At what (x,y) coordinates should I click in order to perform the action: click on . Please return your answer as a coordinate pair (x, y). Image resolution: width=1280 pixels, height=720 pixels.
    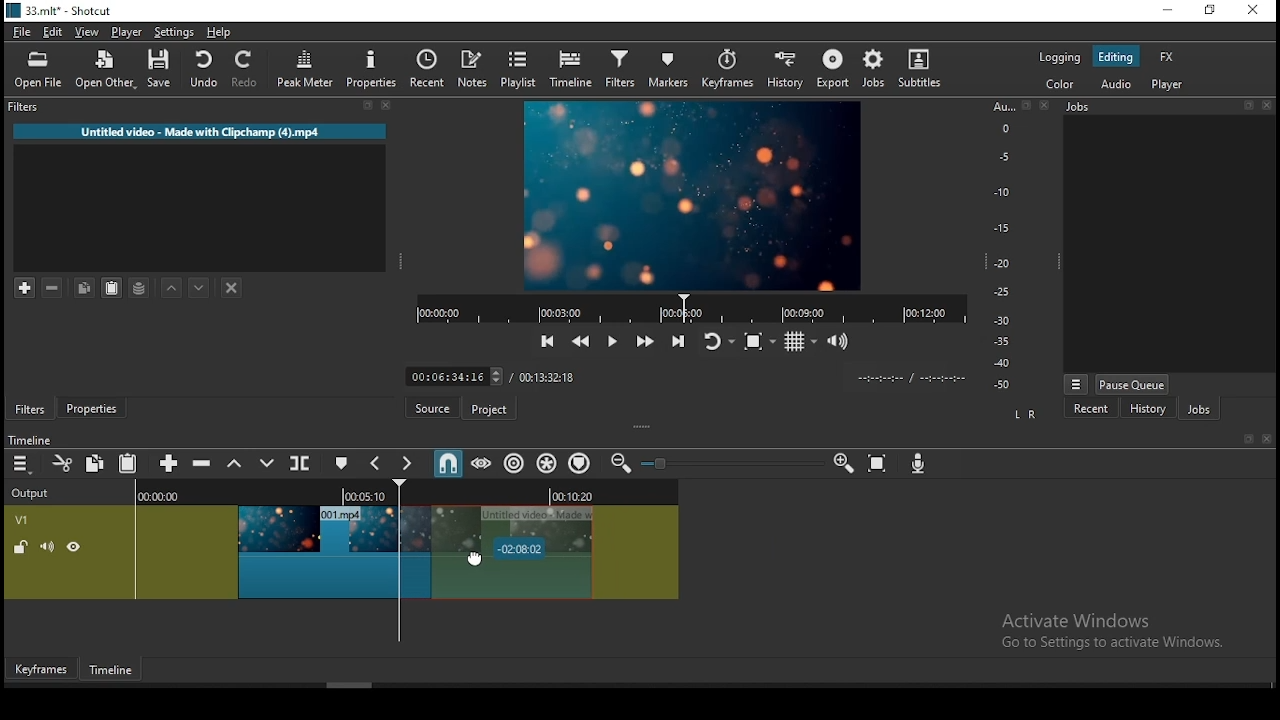
    Looking at the image, I should click on (921, 466).